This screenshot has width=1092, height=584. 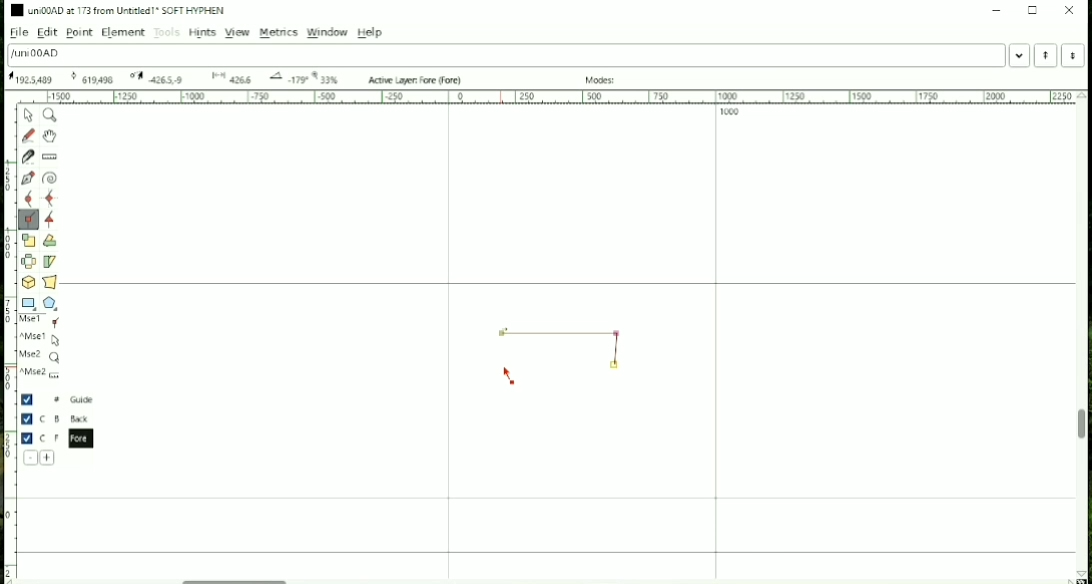 I want to click on Cursor, so click(x=511, y=378).